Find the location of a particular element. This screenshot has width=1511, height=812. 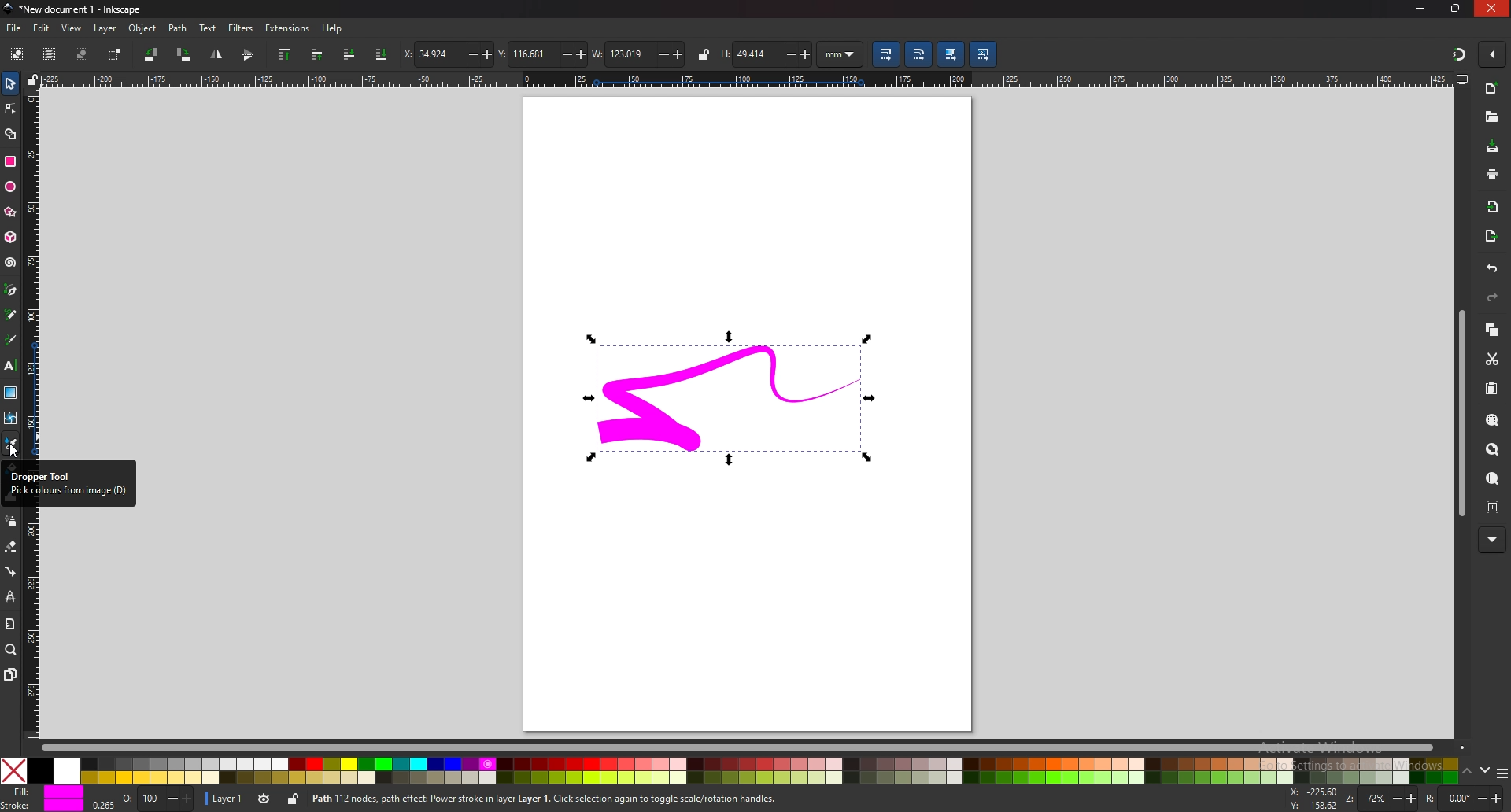

scroll bar is located at coordinates (753, 747).